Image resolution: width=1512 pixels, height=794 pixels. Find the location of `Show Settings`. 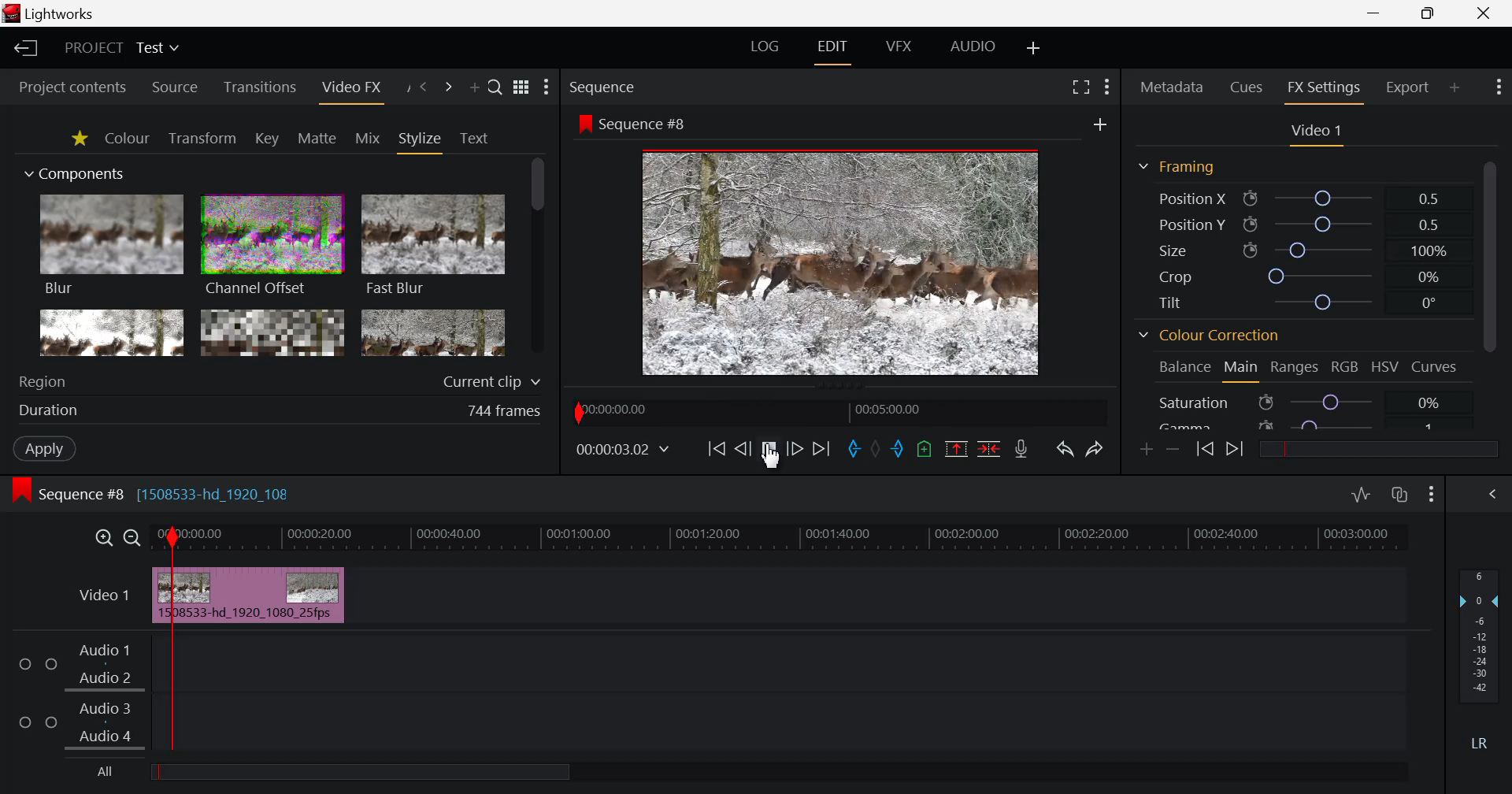

Show Settings is located at coordinates (1107, 90).